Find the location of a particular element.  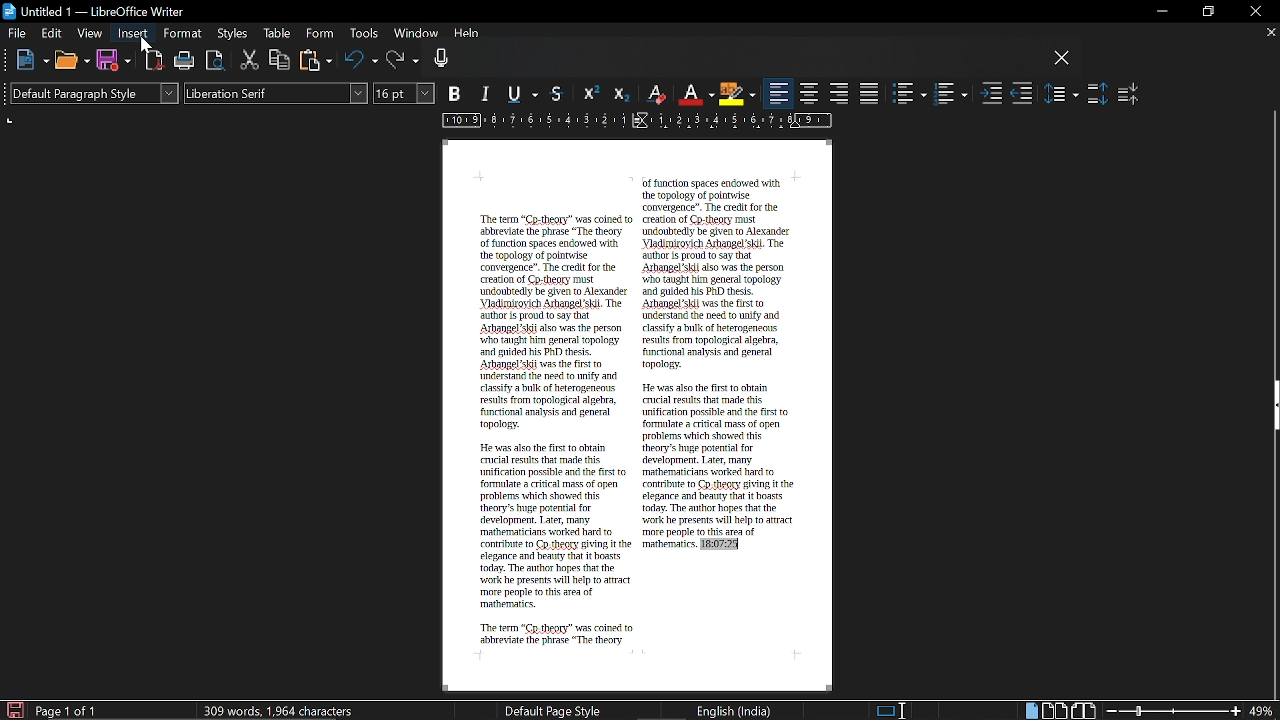

Align right is located at coordinates (840, 92).